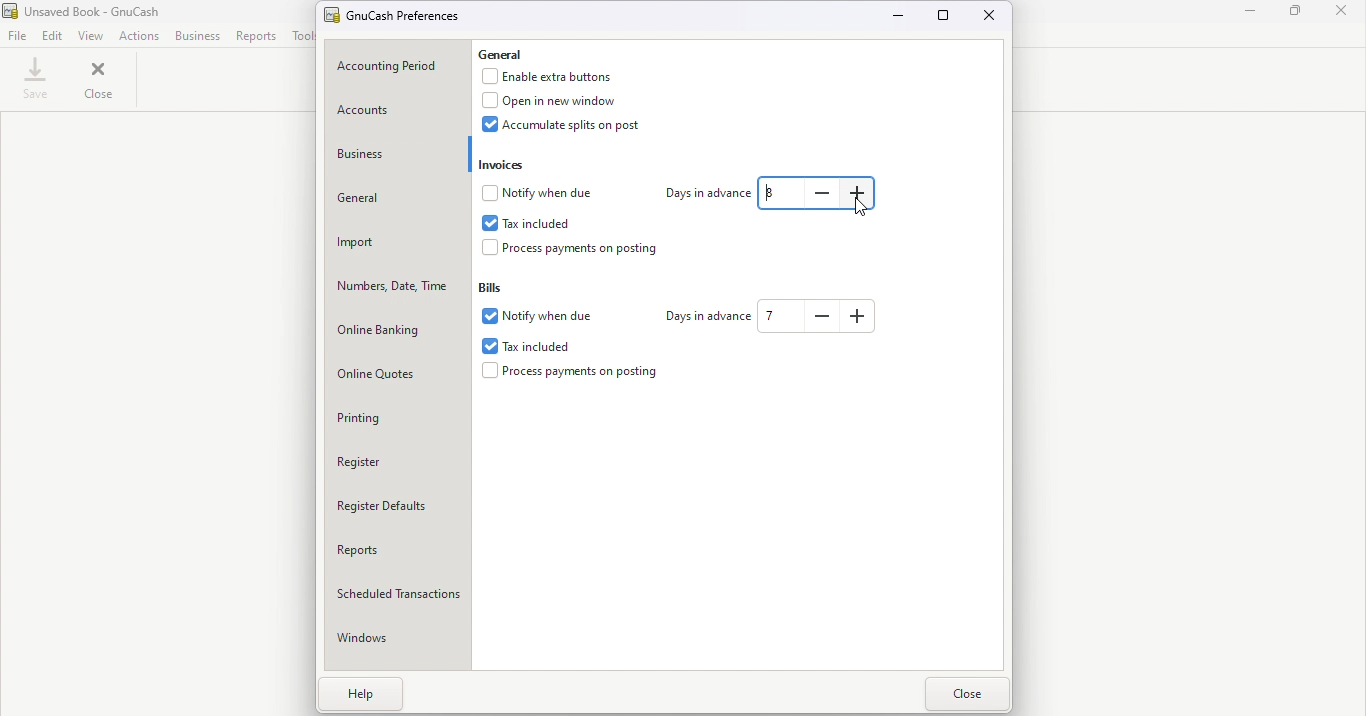  What do you see at coordinates (945, 15) in the screenshot?
I see `Maximize` at bounding box center [945, 15].